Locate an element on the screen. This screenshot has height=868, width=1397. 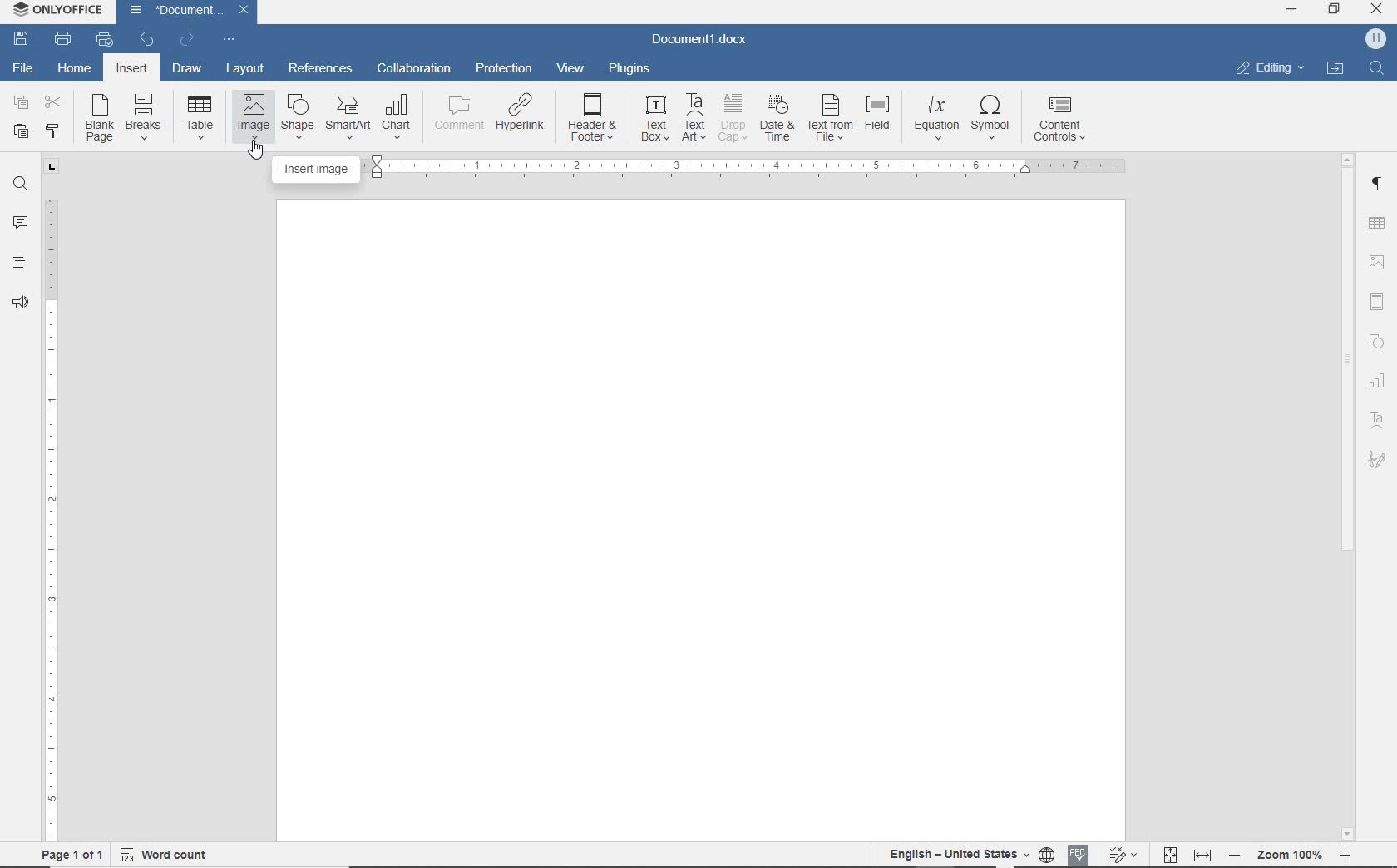
drop cap is located at coordinates (734, 117).